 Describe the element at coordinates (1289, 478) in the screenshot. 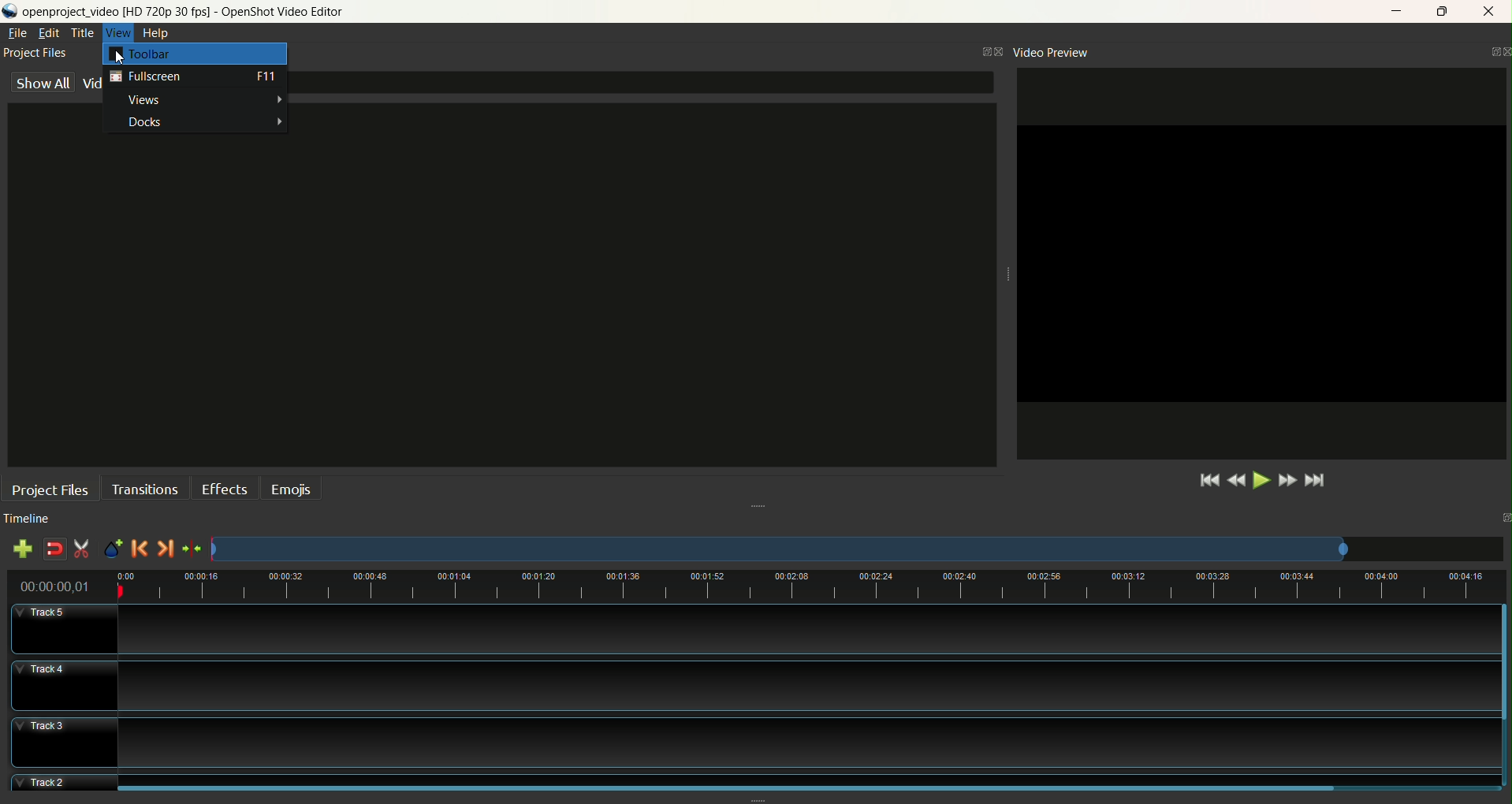

I see `fast forward` at that location.